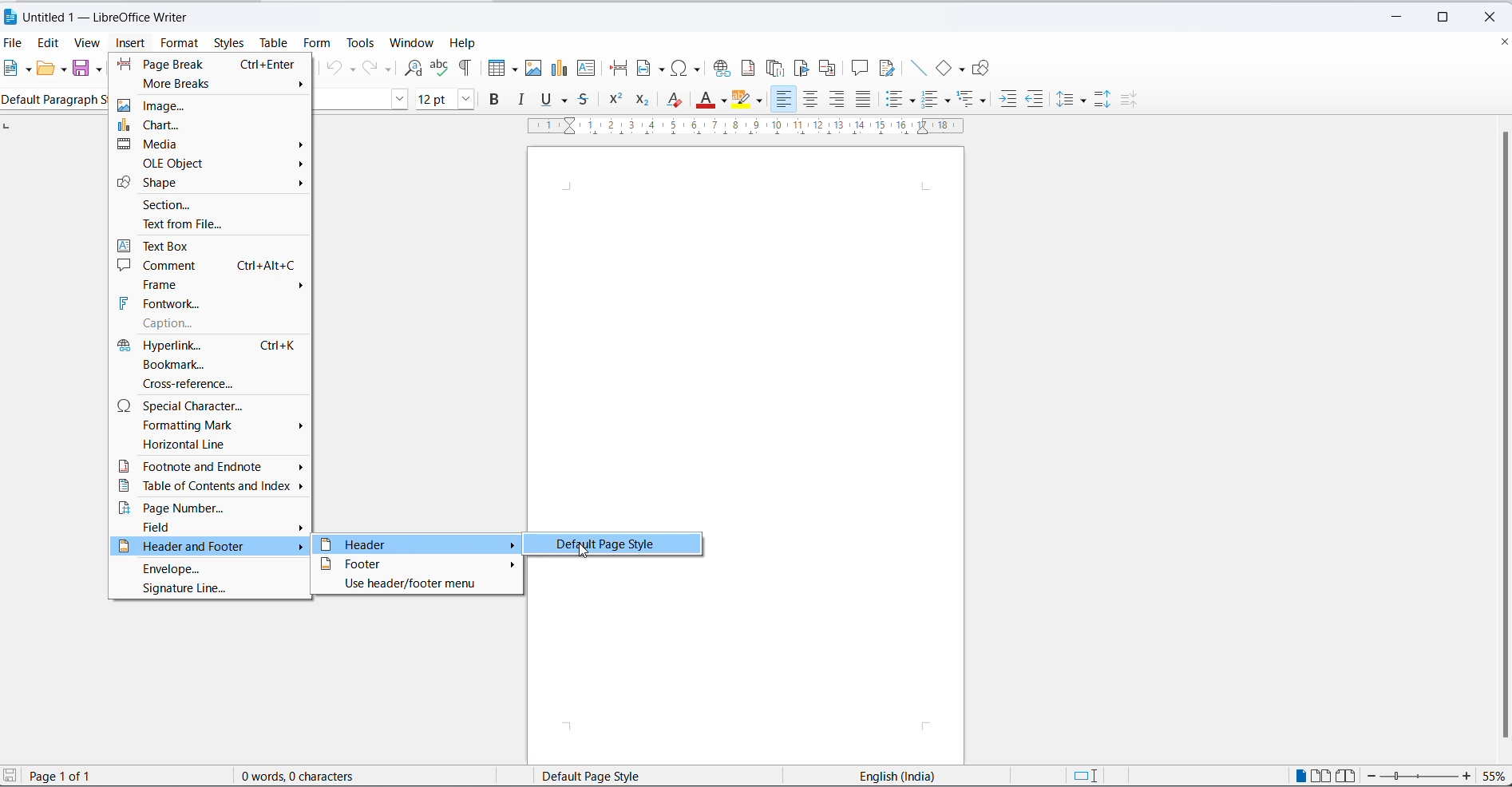 This screenshot has height=787, width=1512. What do you see at coordinates (214, 244) in the screenshot?
I see `text box` at bounding box center [214, 244].